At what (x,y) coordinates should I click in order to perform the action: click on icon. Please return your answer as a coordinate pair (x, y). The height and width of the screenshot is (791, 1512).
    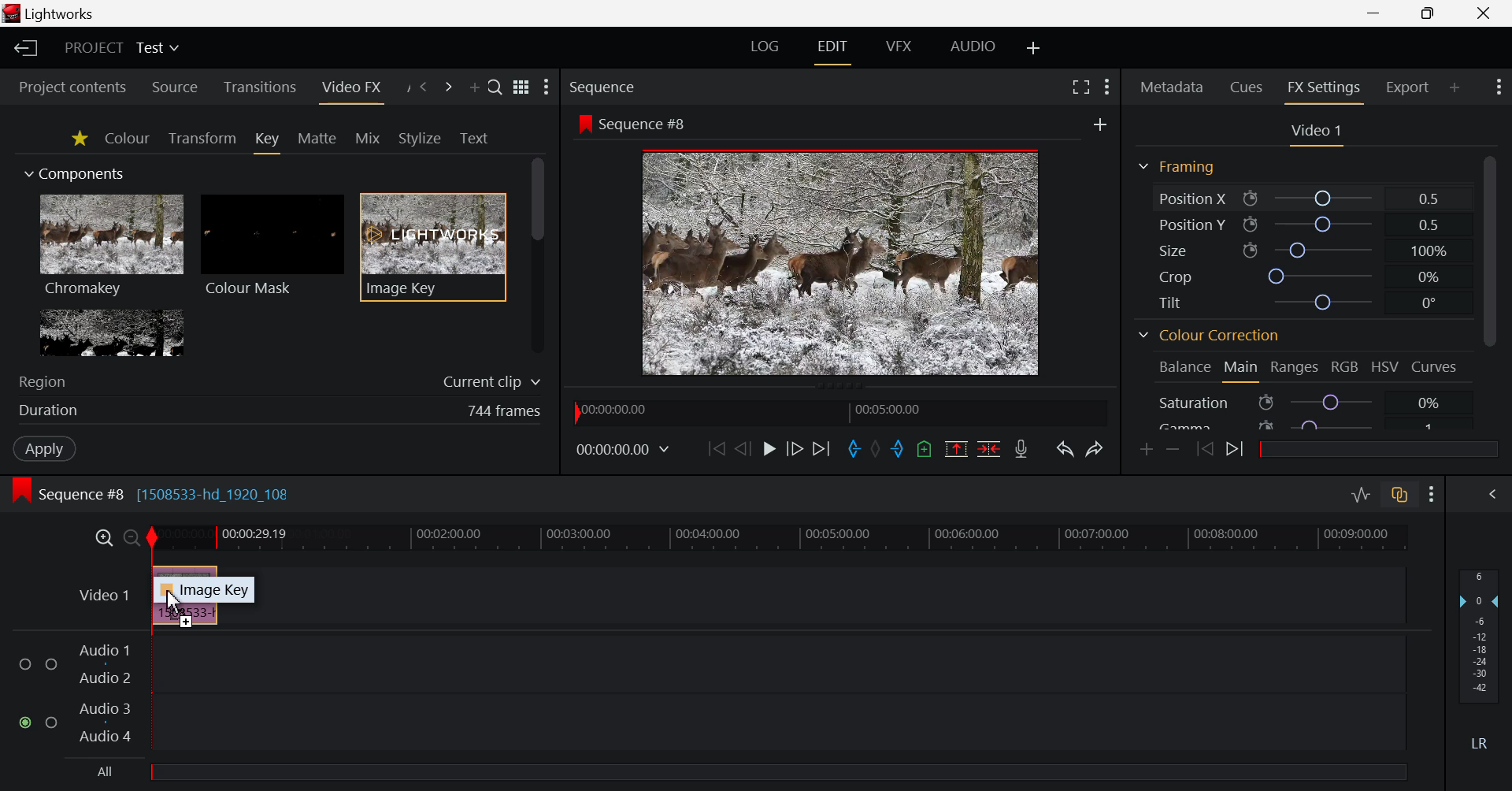
    Looking at the image, I should click on (584, 123).